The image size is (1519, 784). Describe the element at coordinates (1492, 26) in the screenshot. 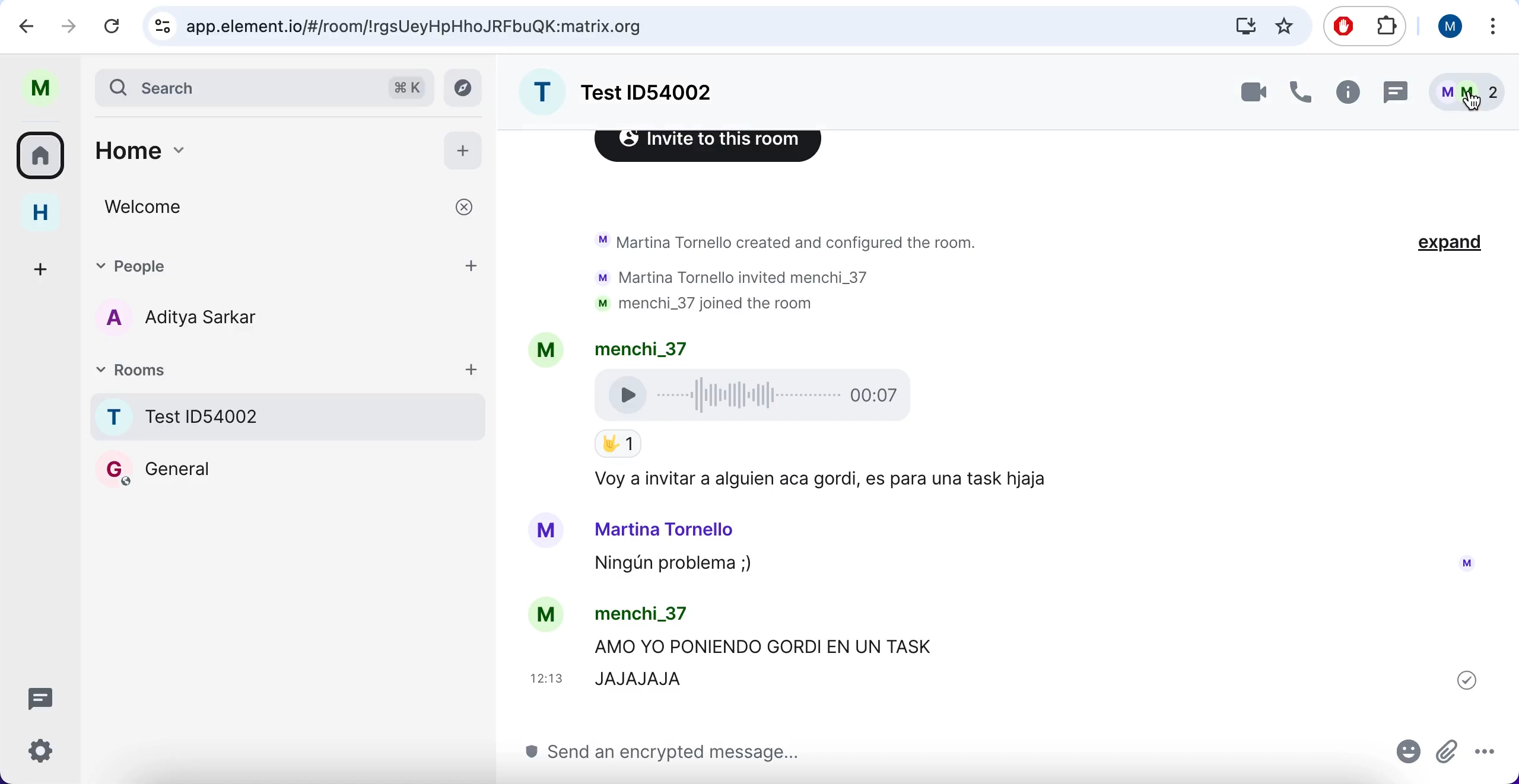

I see `options` at that location.